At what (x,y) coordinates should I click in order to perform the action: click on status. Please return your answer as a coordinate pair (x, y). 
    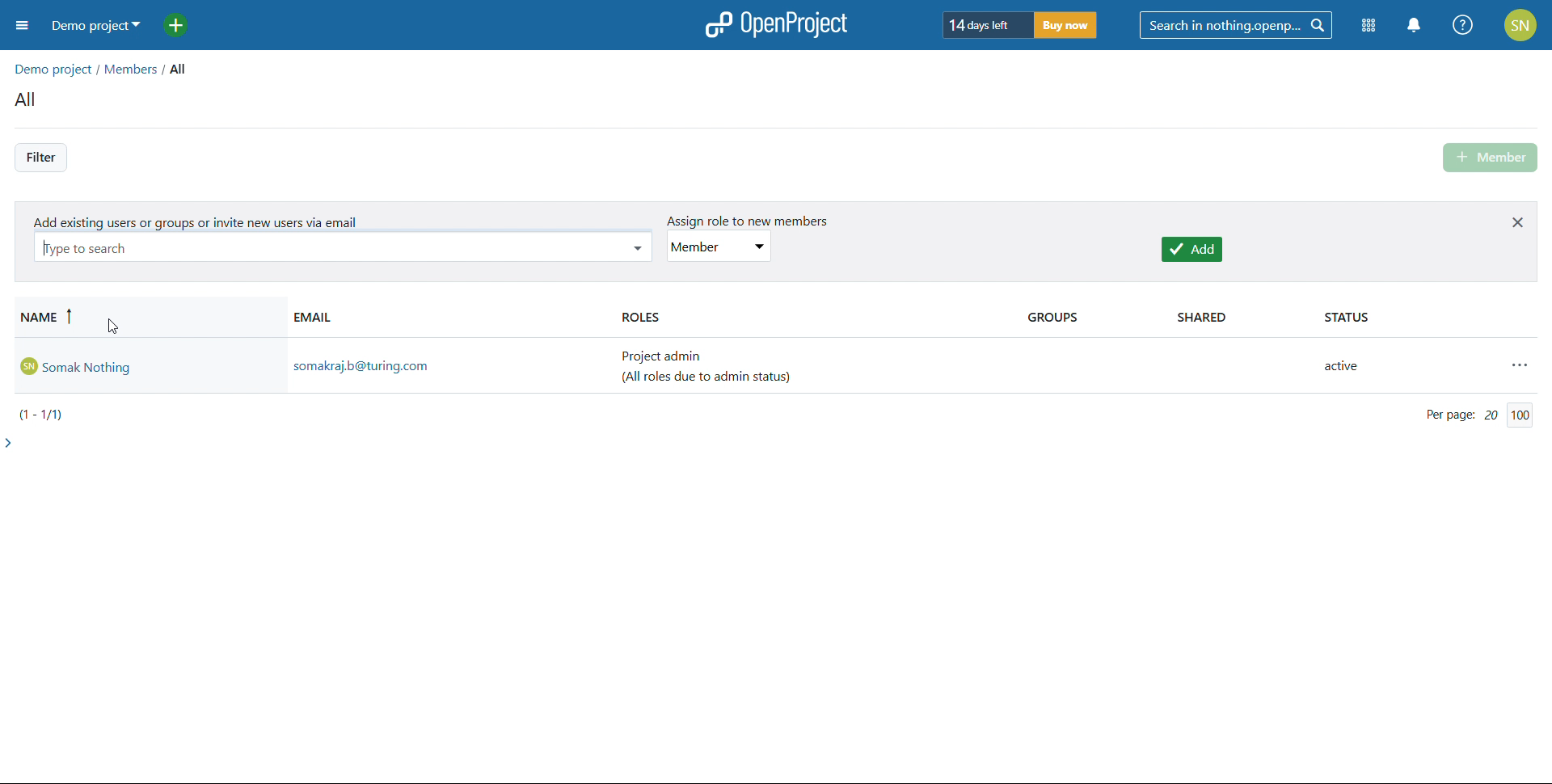
    Looking at the image, I should click on (1420, 318).